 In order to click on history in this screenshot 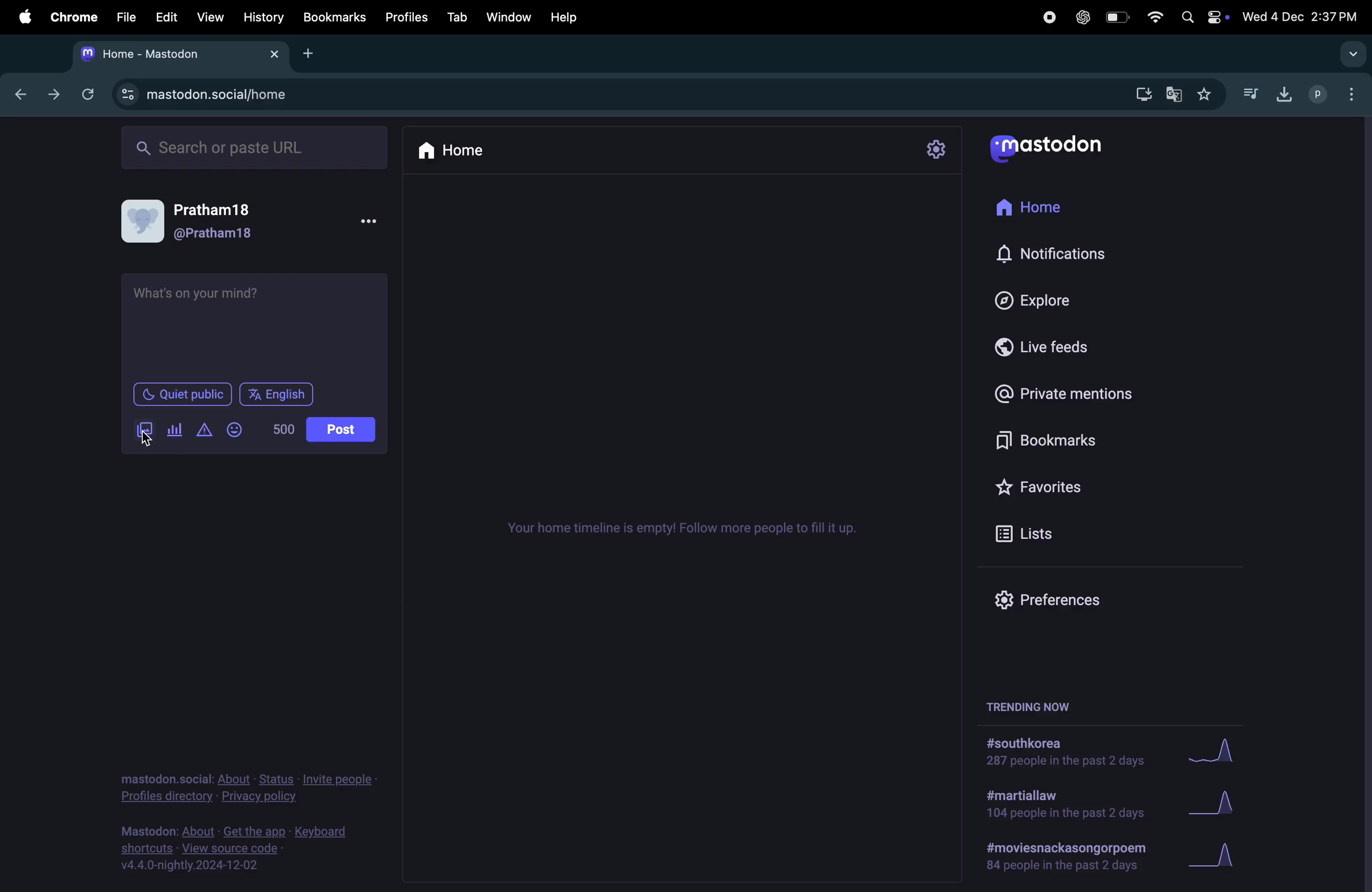, I will do `click(265, 17)`.